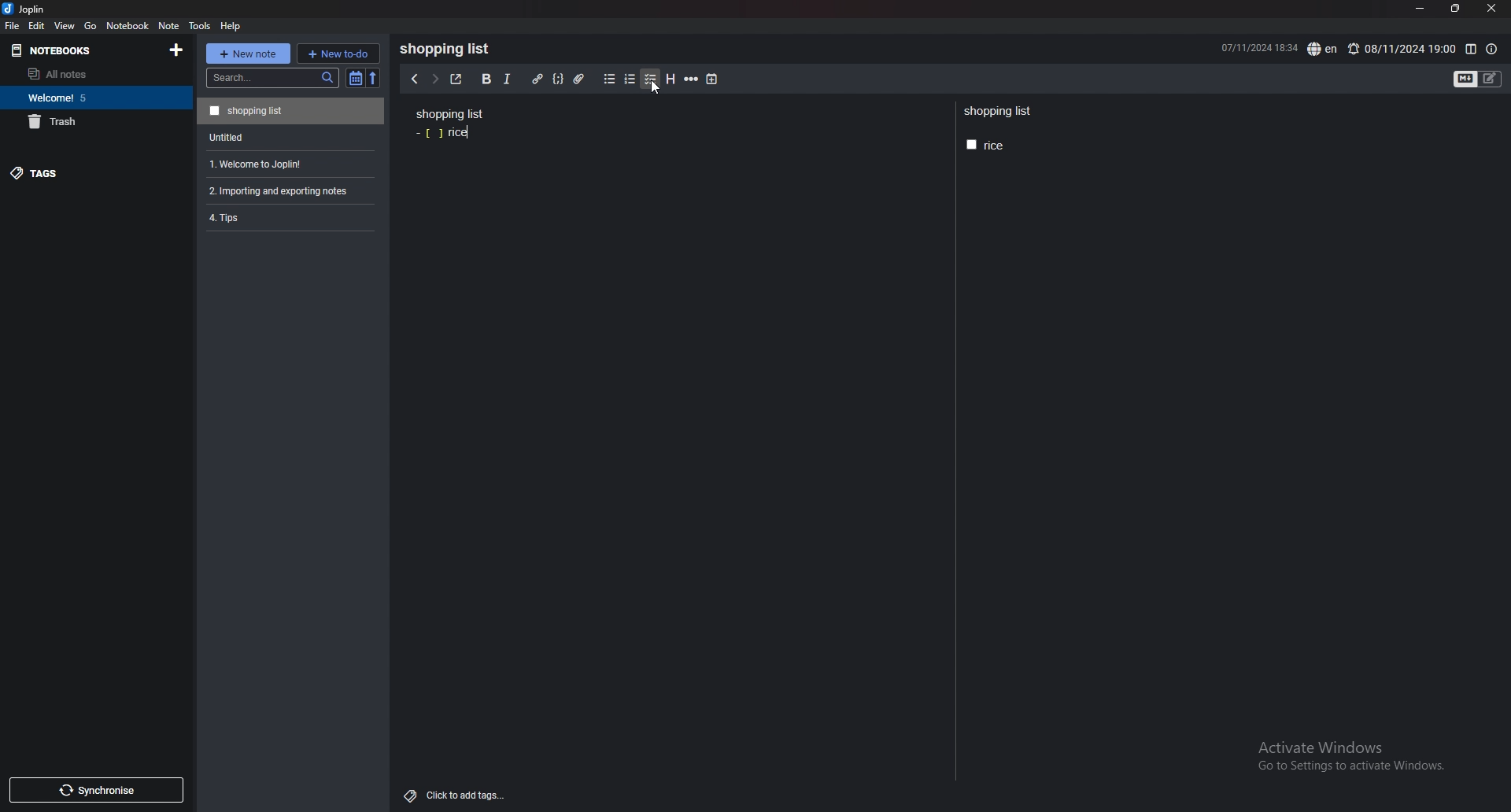  Describe the element at coordinates (653, 88) in the screenshot. I see `Cursor` at that location.